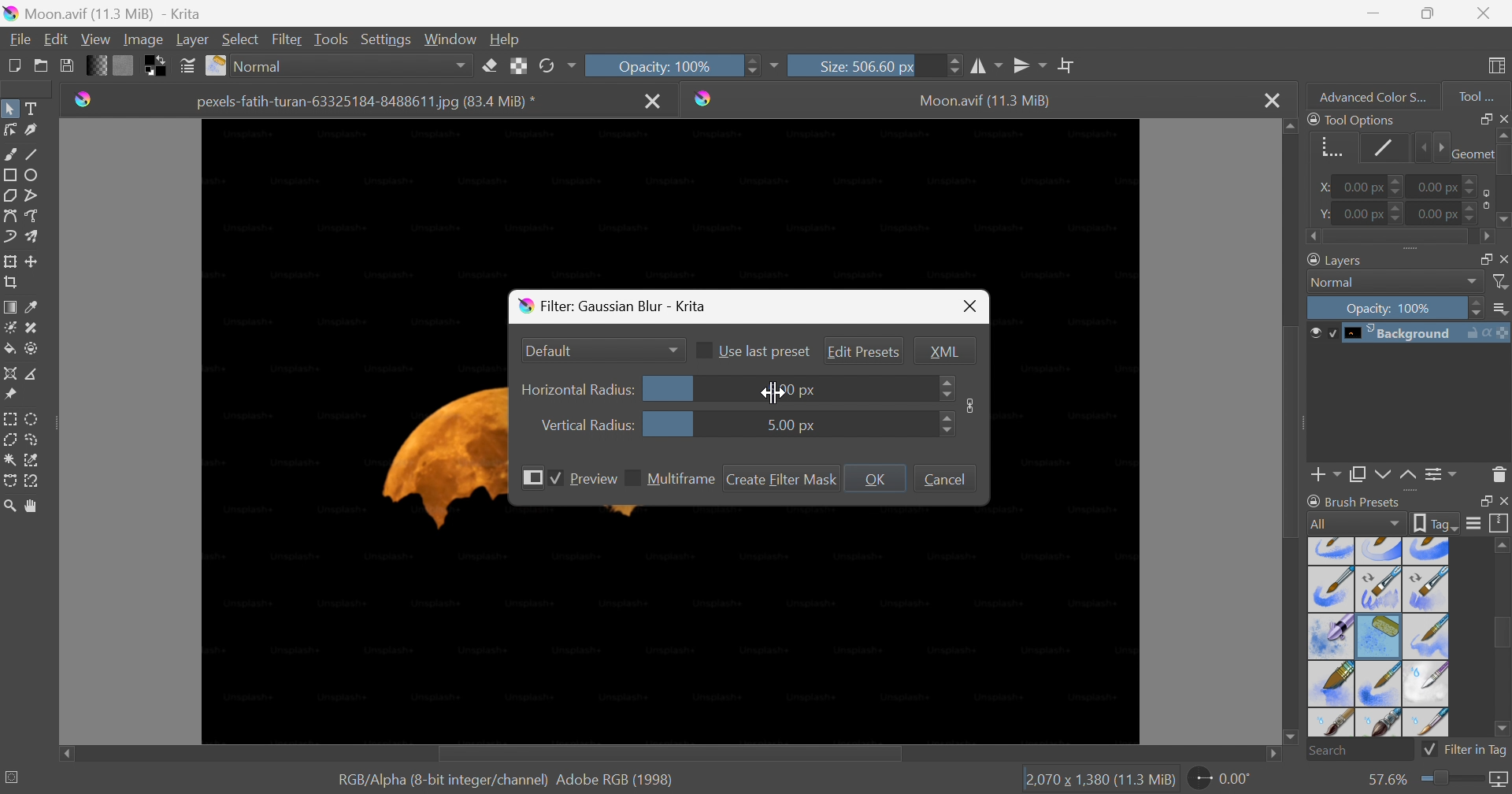 This screenshot has height=794, width=1512. I want to click on Help, so click(504, 40).